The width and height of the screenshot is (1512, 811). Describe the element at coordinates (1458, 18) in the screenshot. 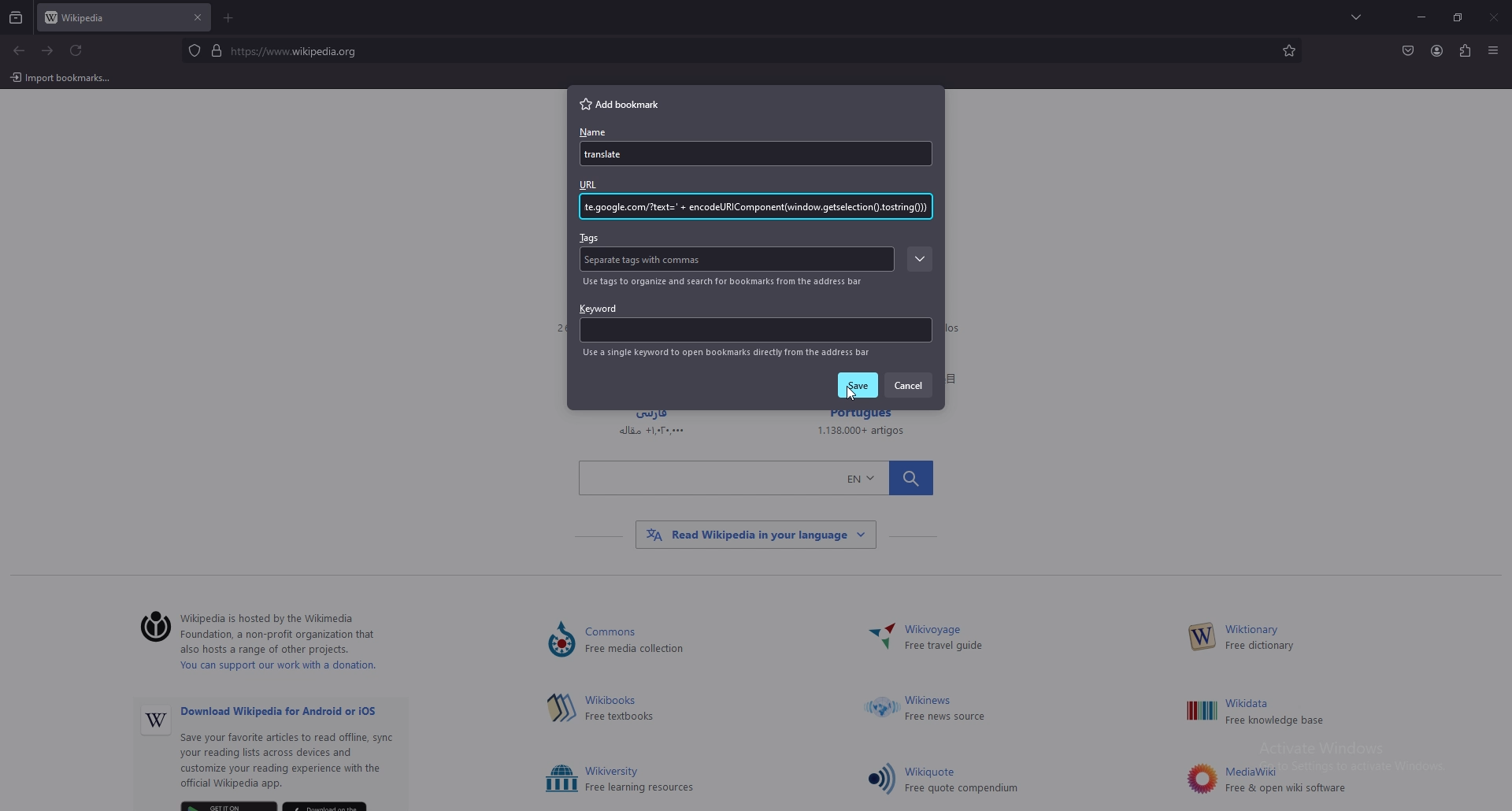

I see `resize` at that location.